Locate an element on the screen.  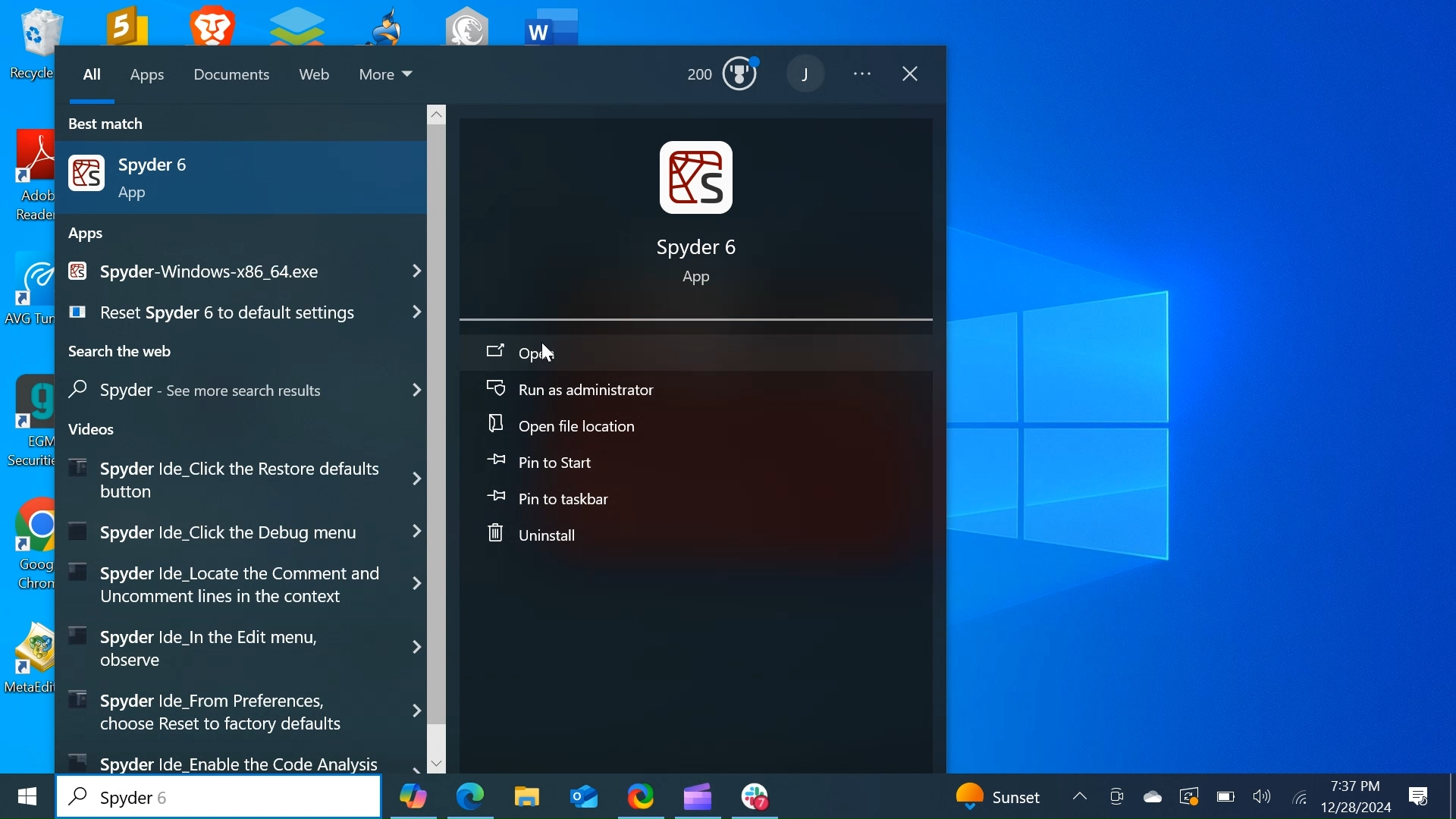
More is located at coordinates (388, 77).